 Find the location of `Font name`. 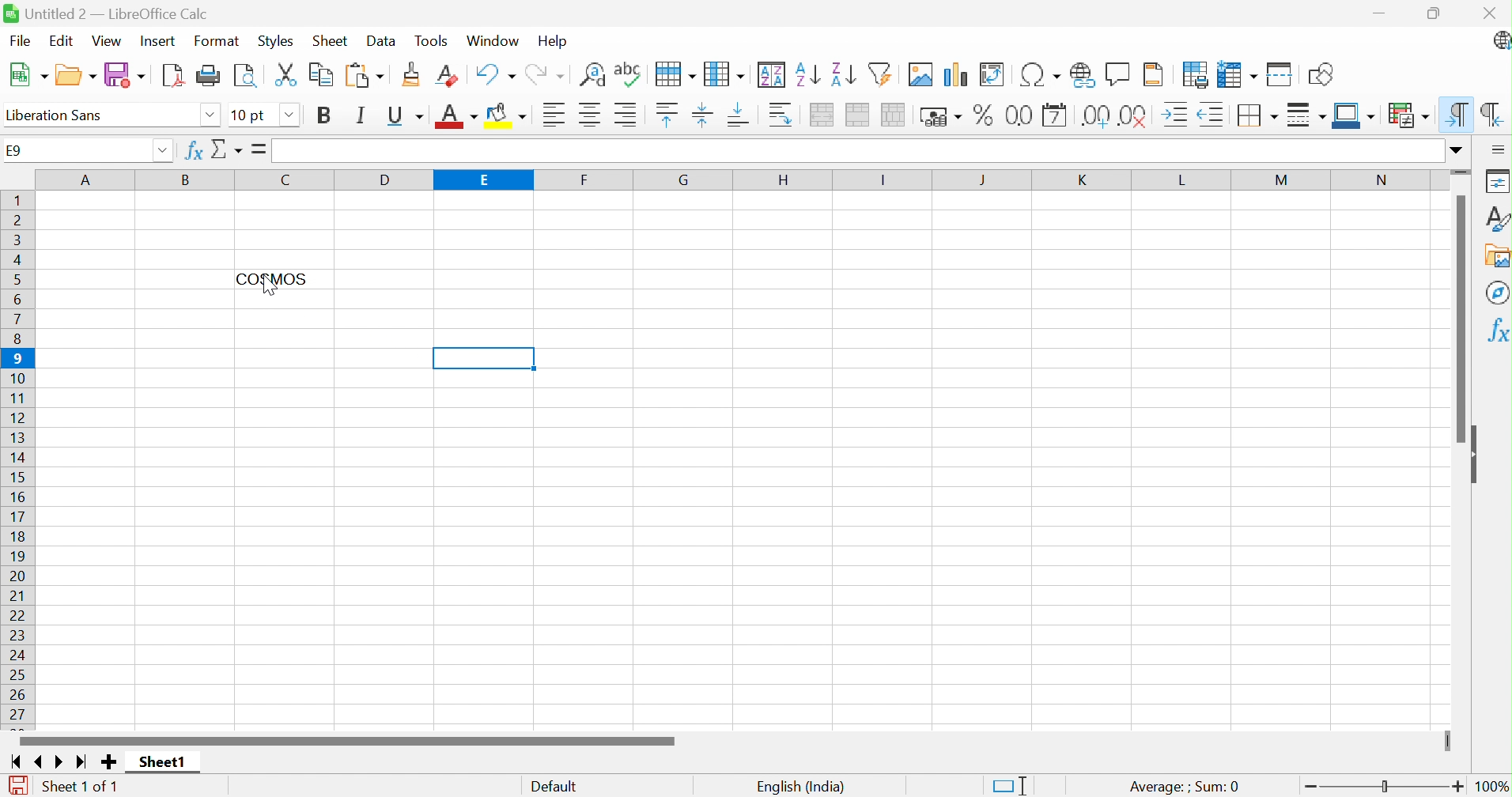

Font name is located at coordinates (52, 115).